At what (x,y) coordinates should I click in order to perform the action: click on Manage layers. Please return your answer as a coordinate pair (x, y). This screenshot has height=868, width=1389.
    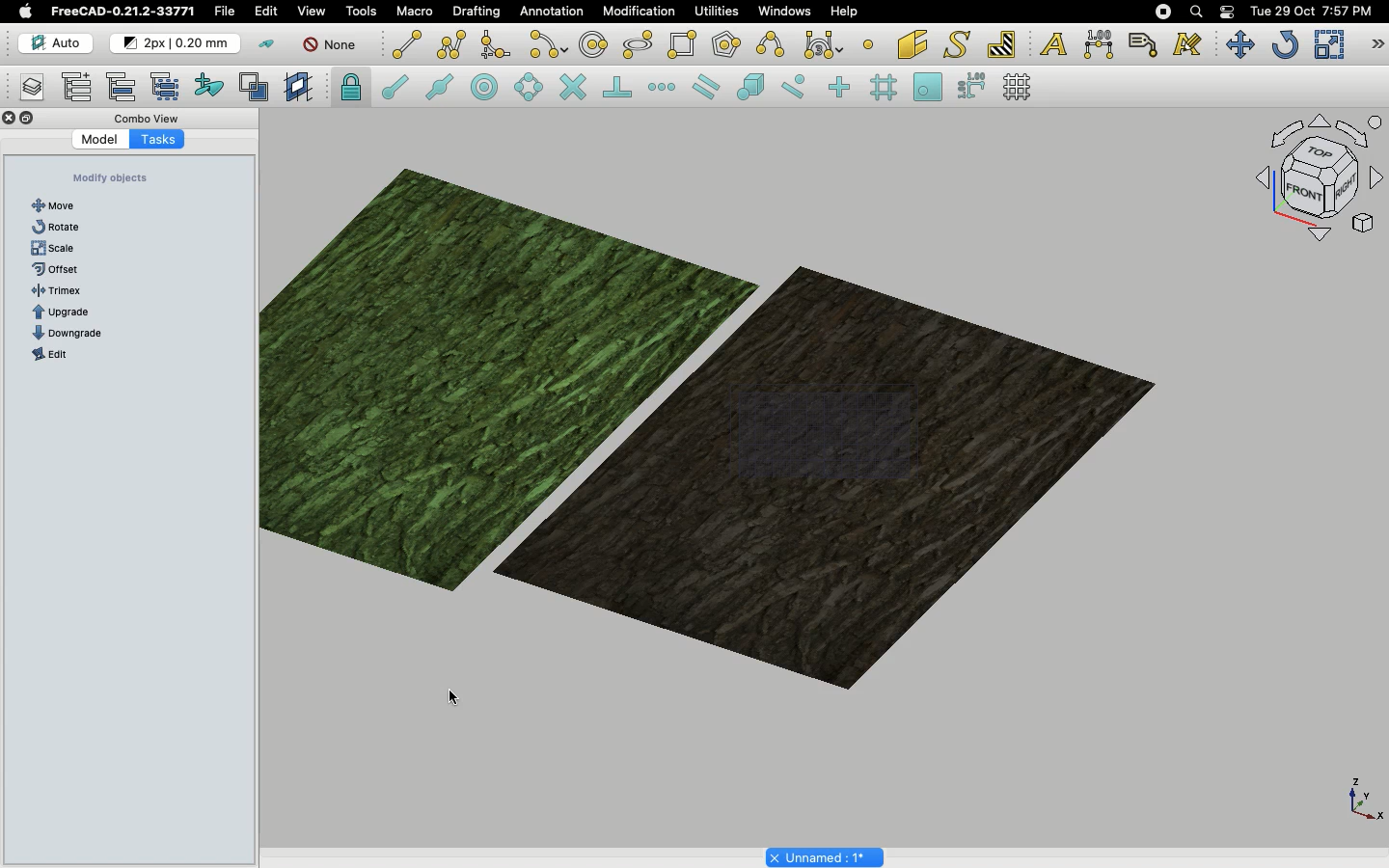
    Looking at the image, I should click on (25, 89).